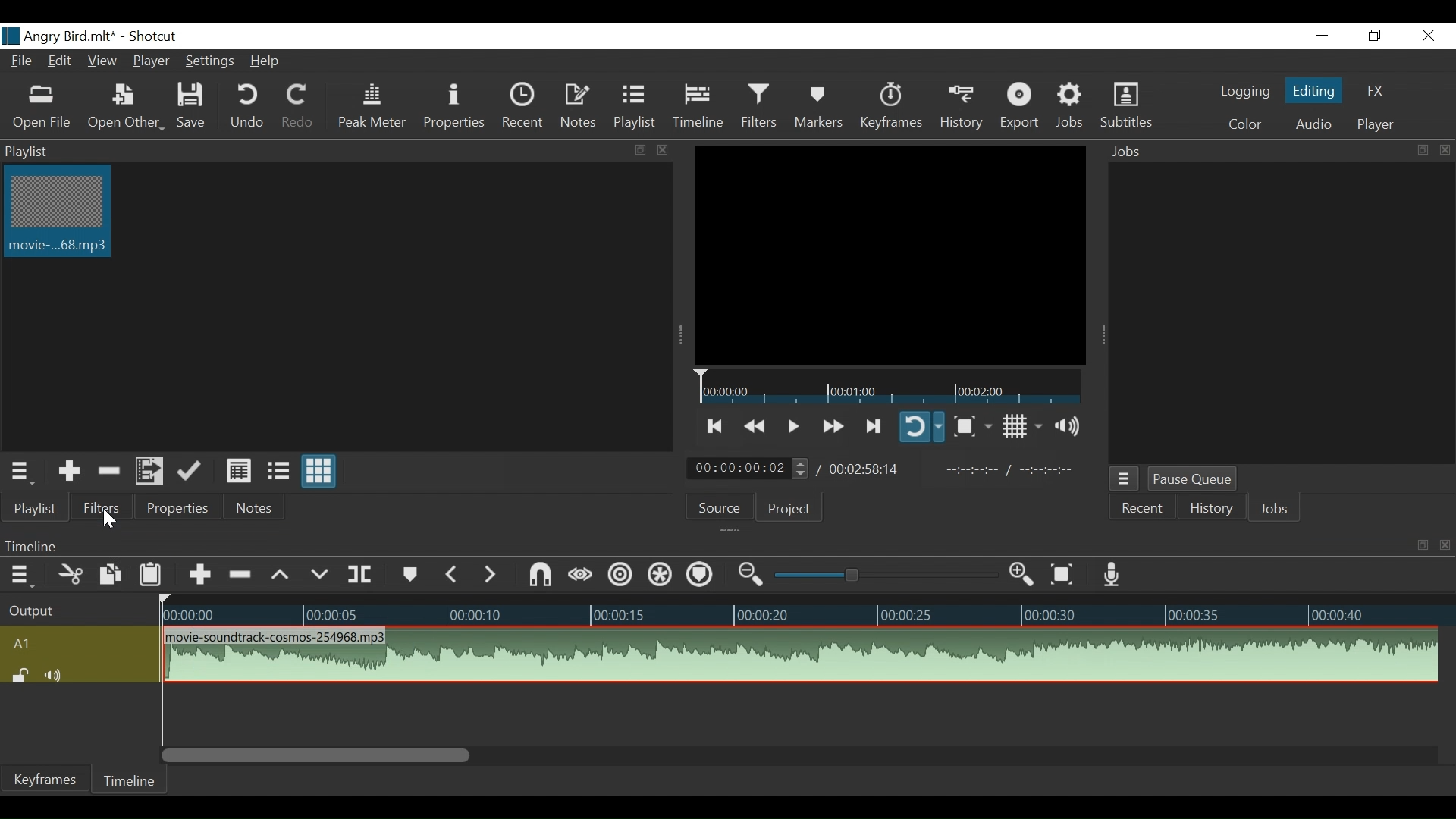  Describe the element at coordinates (318, 471) in the screenshot. I see `View as icons` at that location.